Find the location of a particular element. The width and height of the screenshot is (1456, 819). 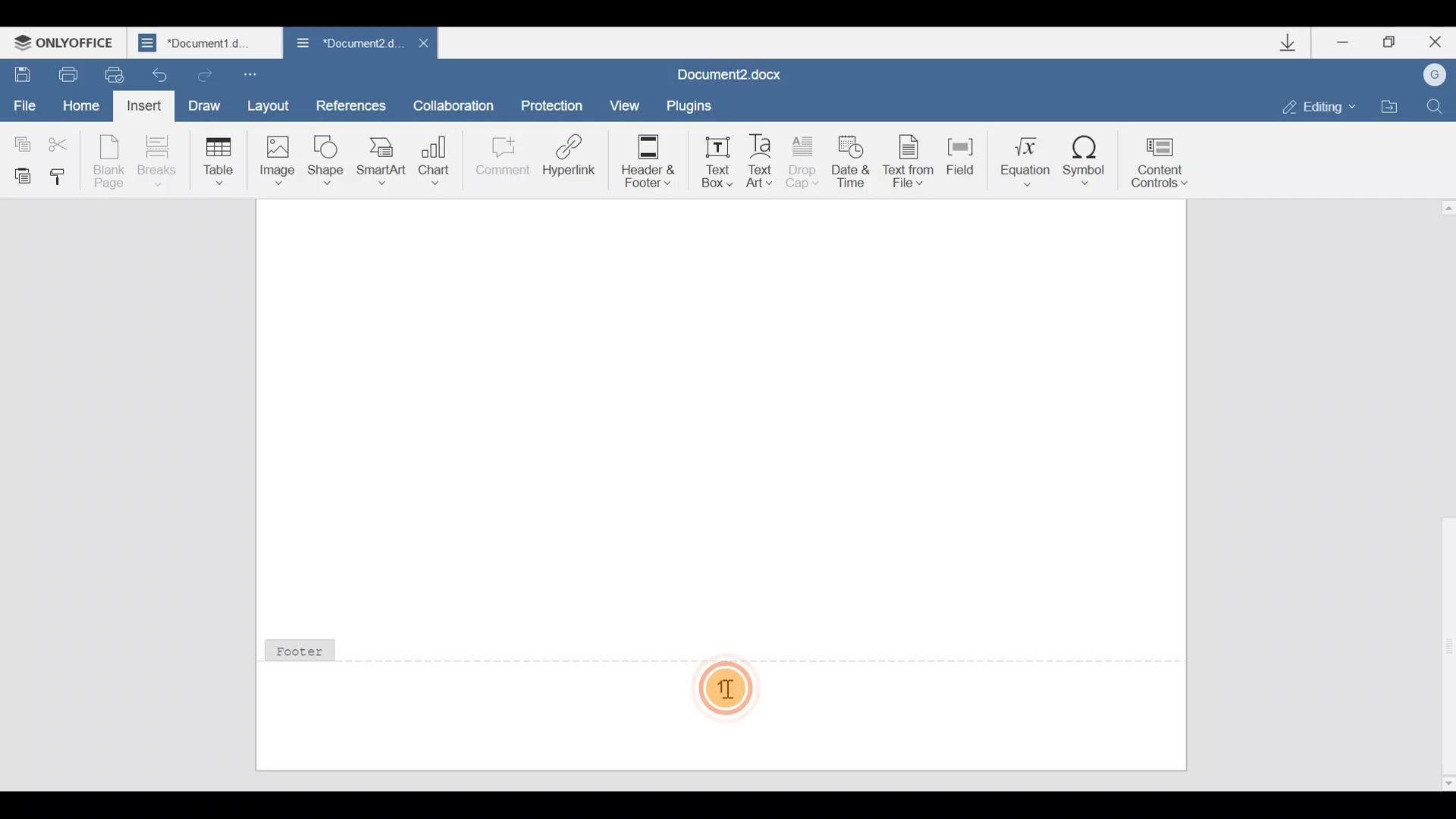

Home is located at coordinates (80, 104).